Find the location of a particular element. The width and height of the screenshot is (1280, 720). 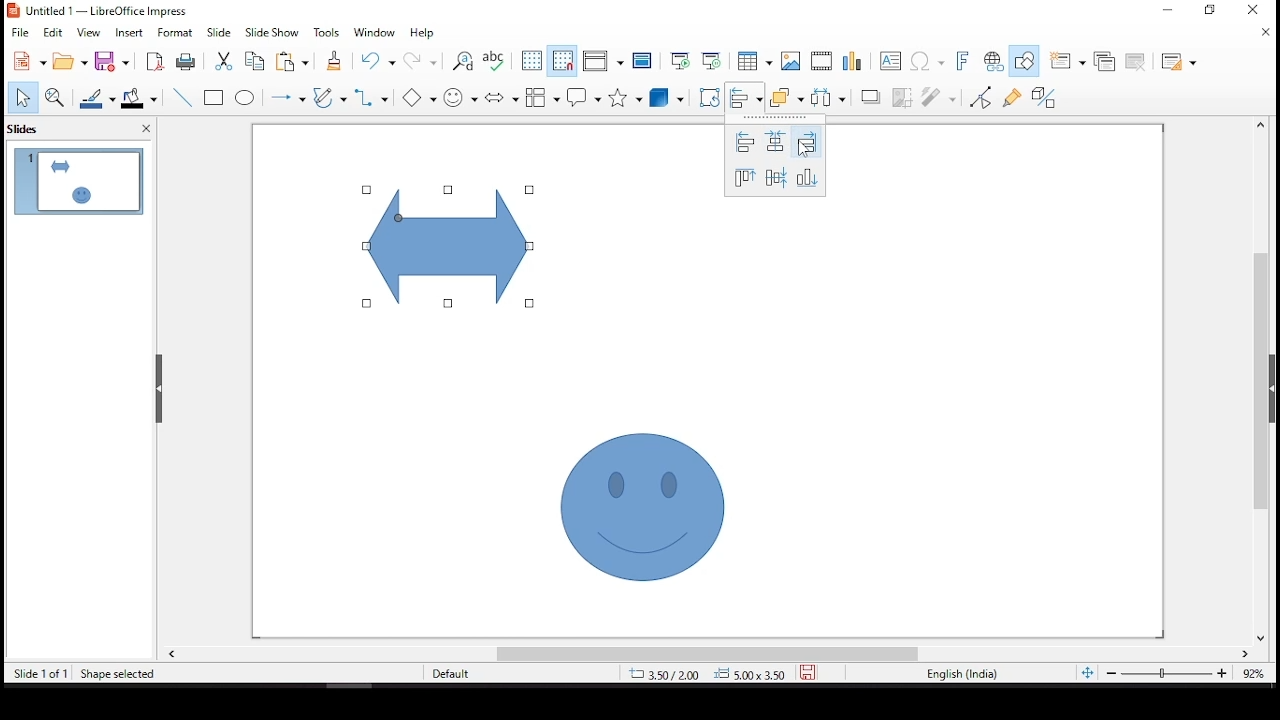

arrange is located at coordinates (786, 97).